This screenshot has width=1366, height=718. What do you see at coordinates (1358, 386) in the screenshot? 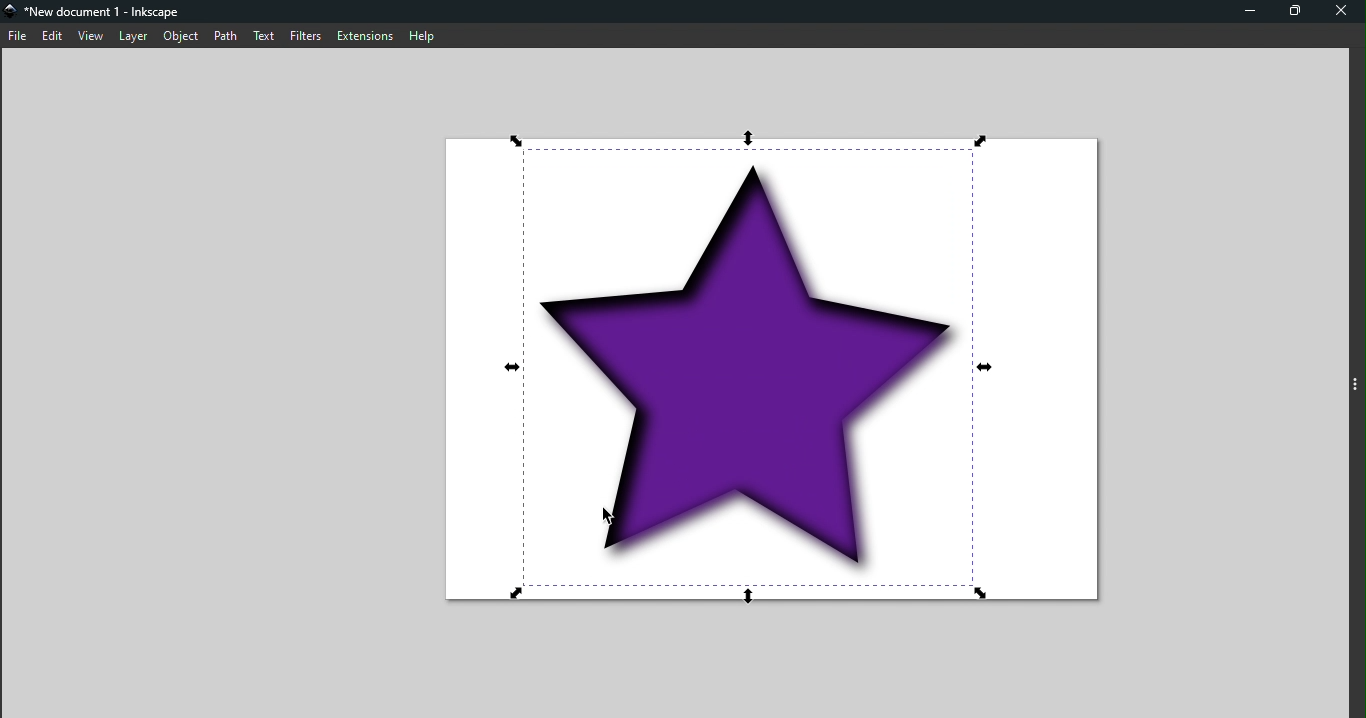
I see `Toggle command panel` at bounding box center [1358, 386].